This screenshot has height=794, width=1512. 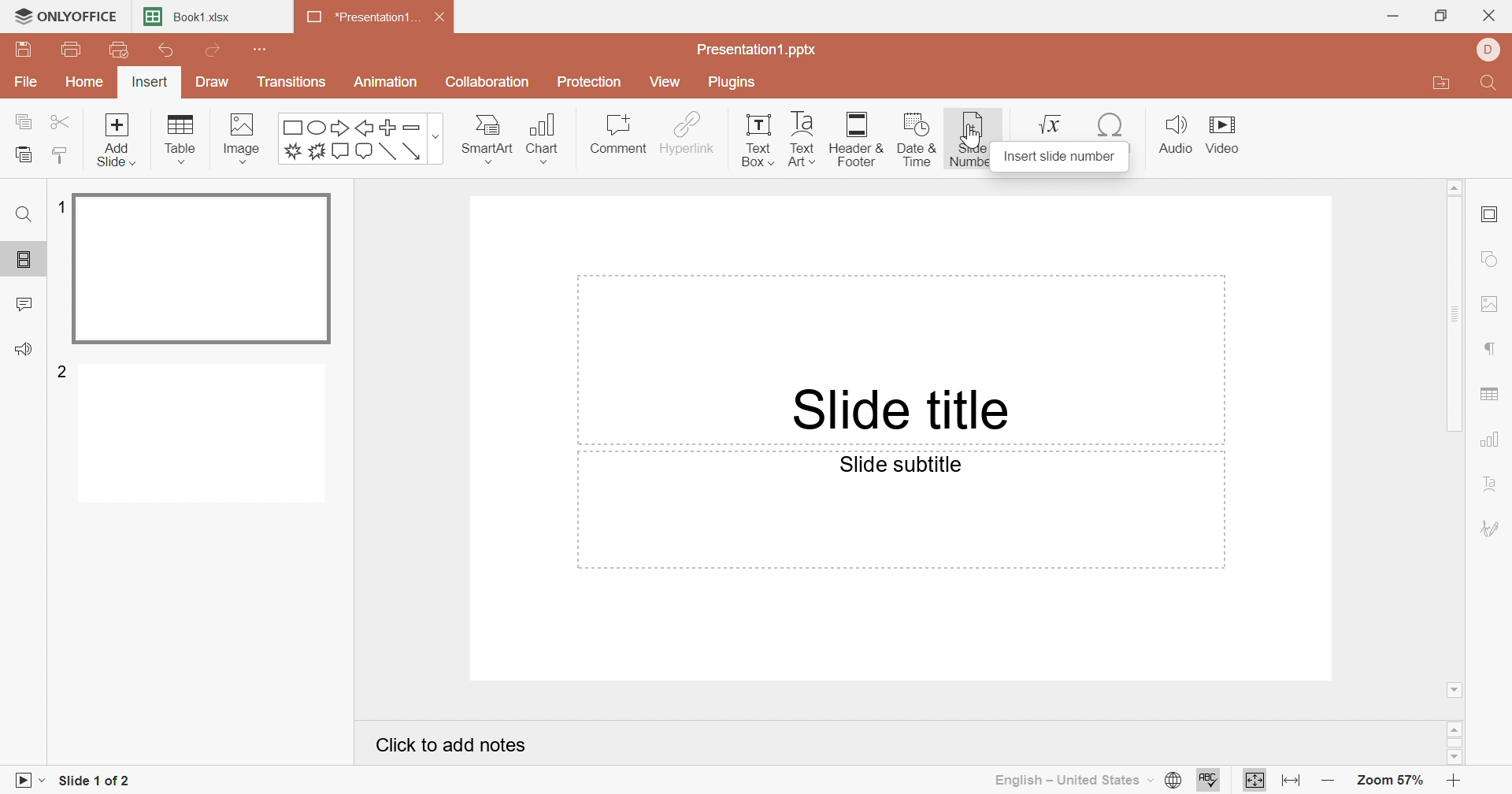 What do you see at coordinates (358, 19) in the screenshot?
I see `*Presentation1...` at bounding box center [358, 19].